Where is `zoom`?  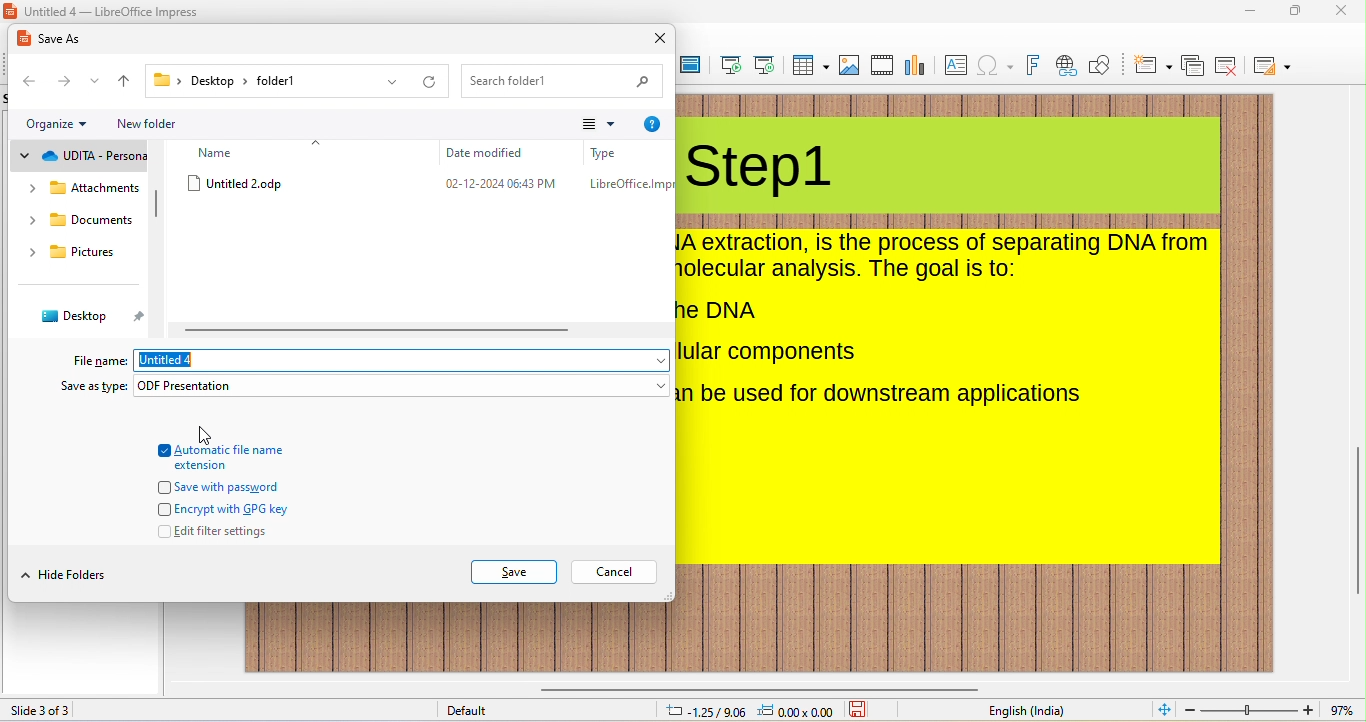
zoom is located at coordinates (1249, 710).